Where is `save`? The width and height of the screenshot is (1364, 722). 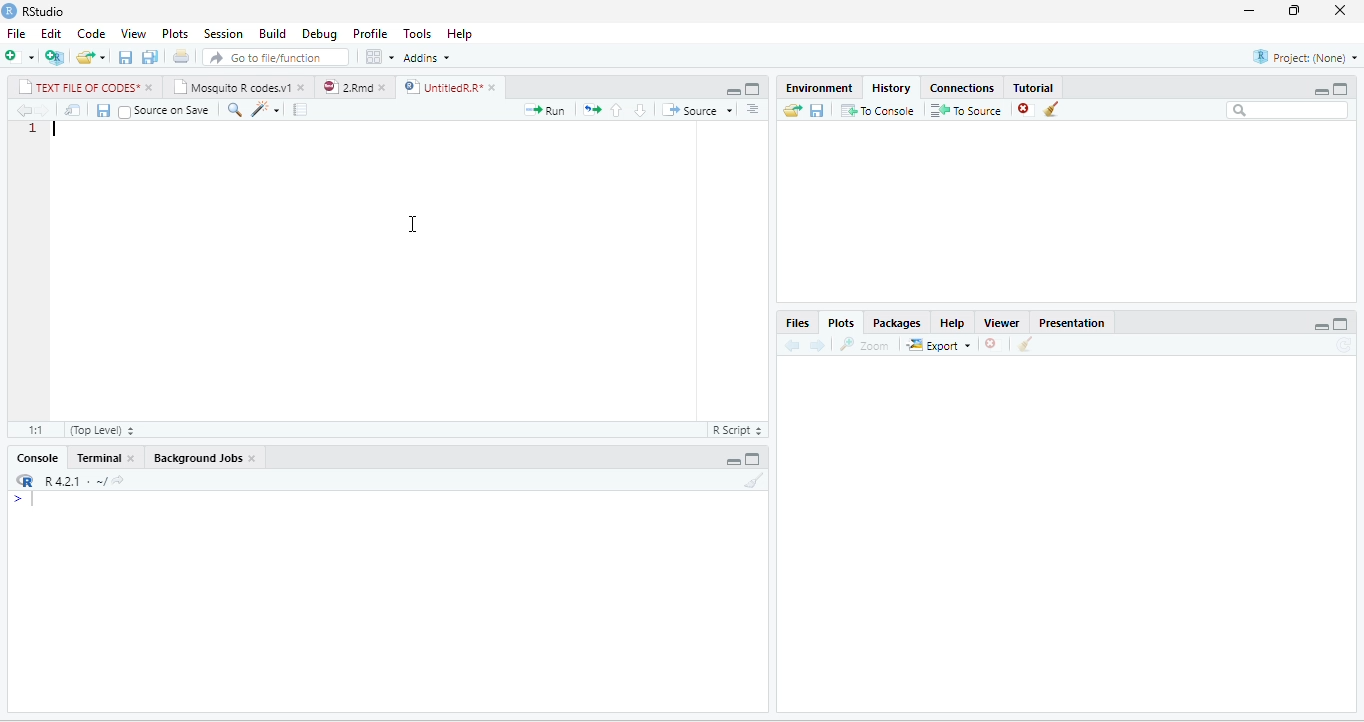
save is located at coordinates (126, 57).